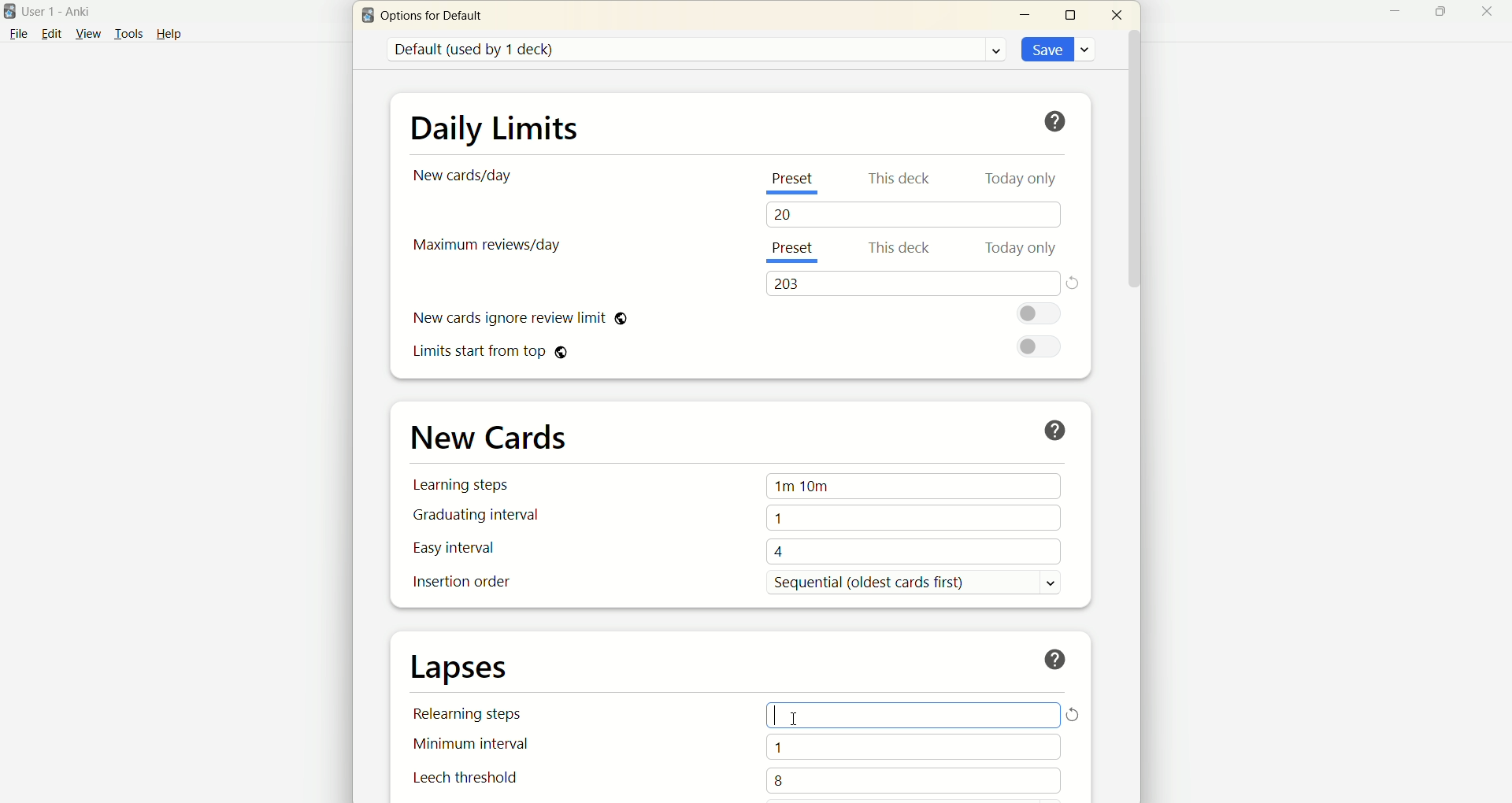 This screenshot has width=1512, height=803. What do you see at coordinates (518, 320) in the screenshot?
I see `new card ignore review limit` at bounding box center [518, 320].